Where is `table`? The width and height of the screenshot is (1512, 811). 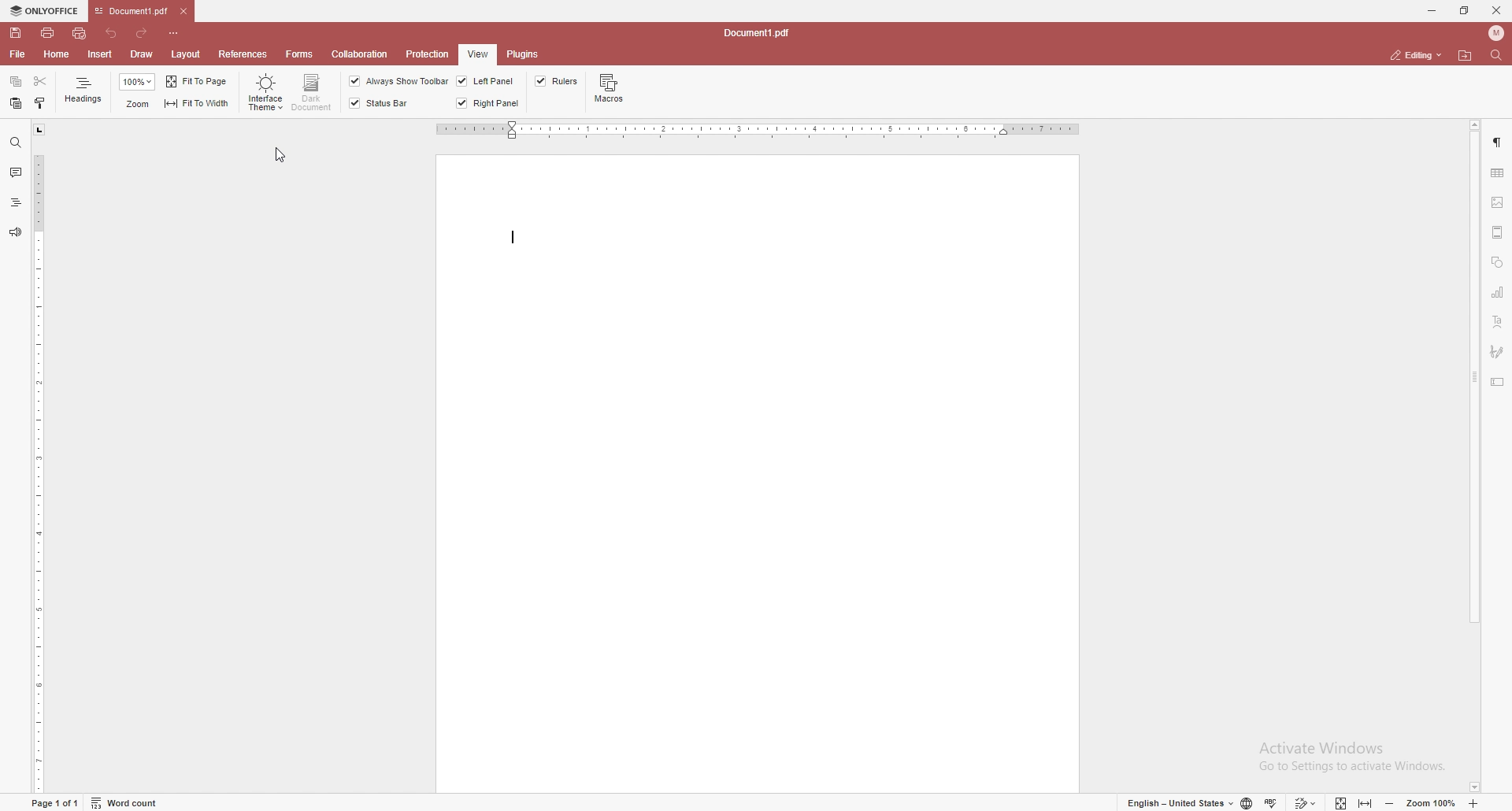
table is located at coordinates (1497, 173).